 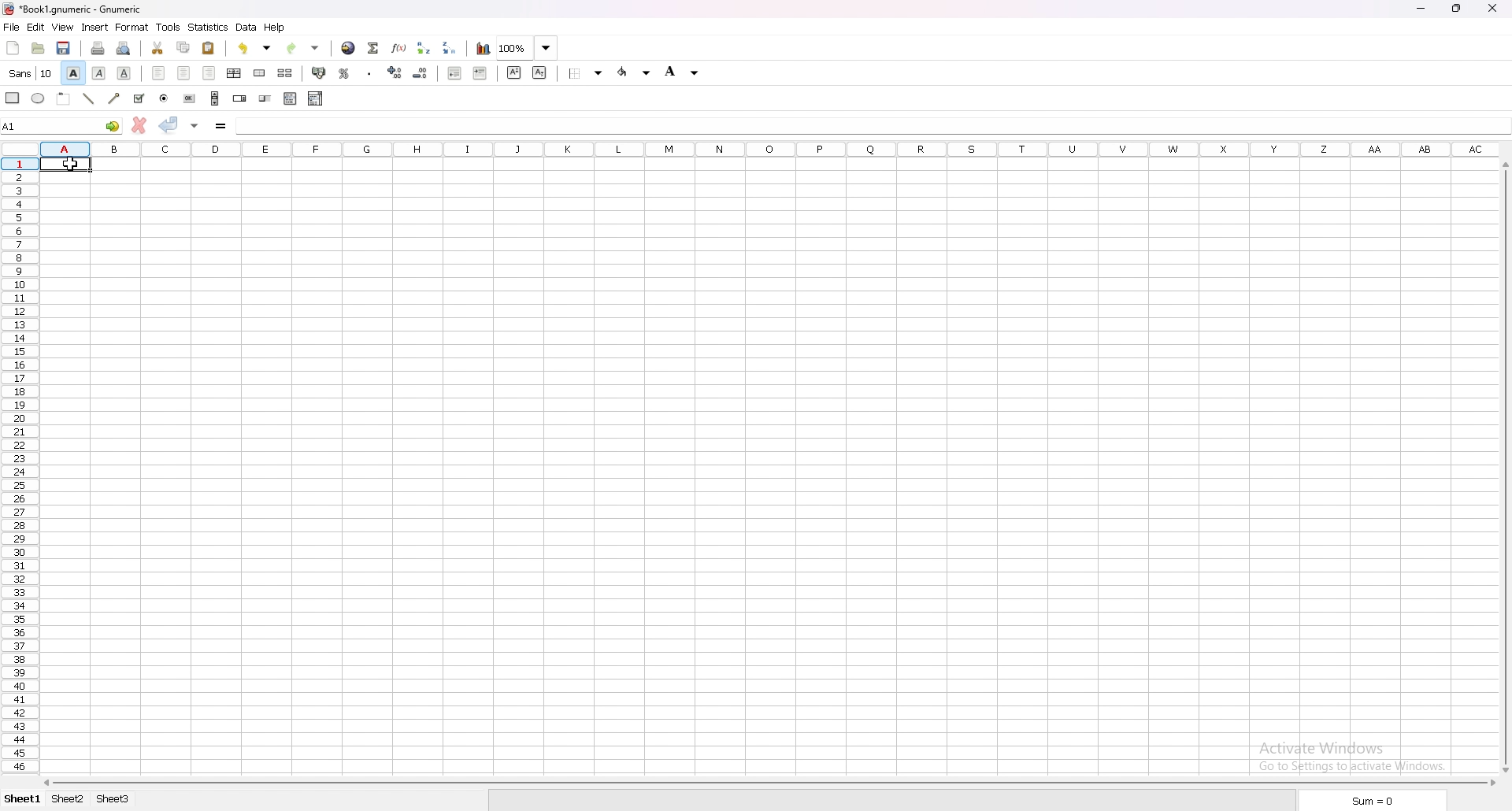 I want to click on centre horizontally, so click(x=235, y=74).